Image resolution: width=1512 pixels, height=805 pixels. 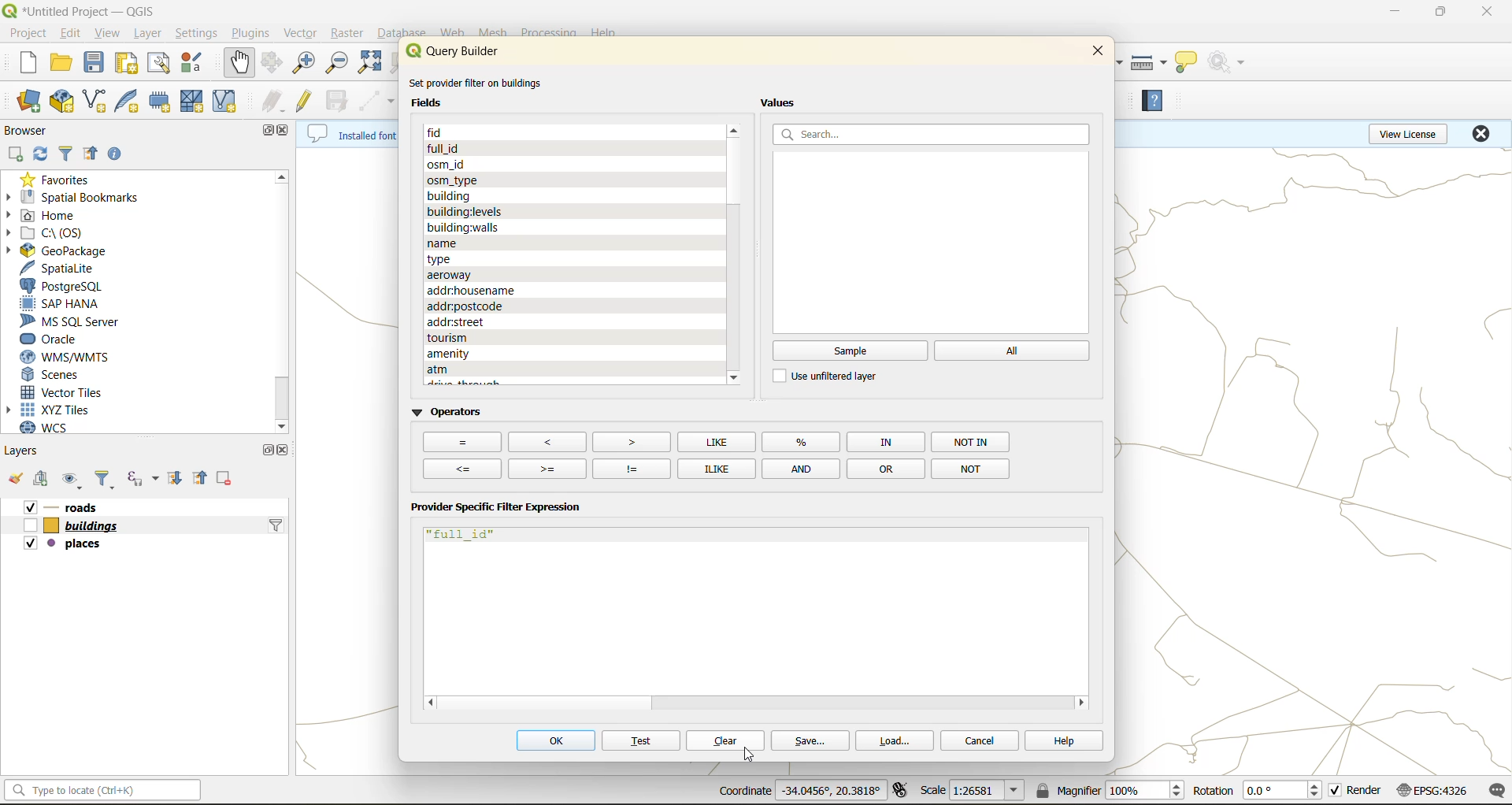 I want to click on settings, so click(x=198, y=35).